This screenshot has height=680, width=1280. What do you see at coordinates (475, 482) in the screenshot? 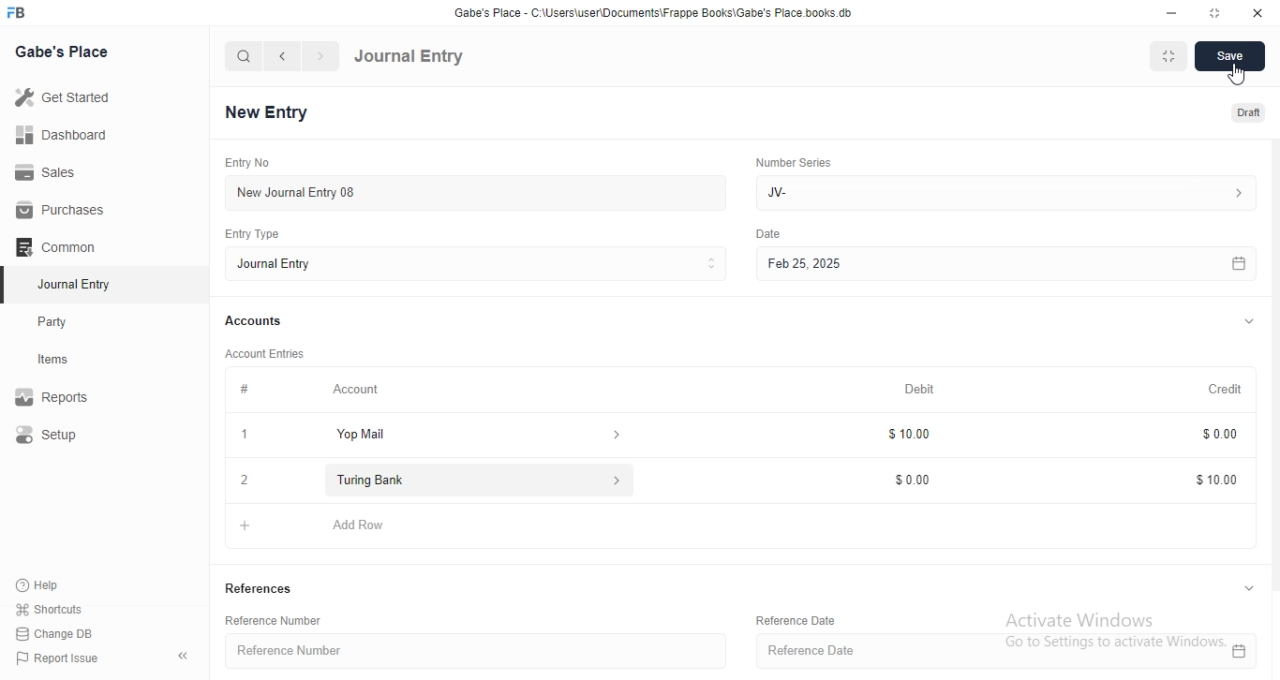
I see `Turing Bank` at bounding box center [475, 482].